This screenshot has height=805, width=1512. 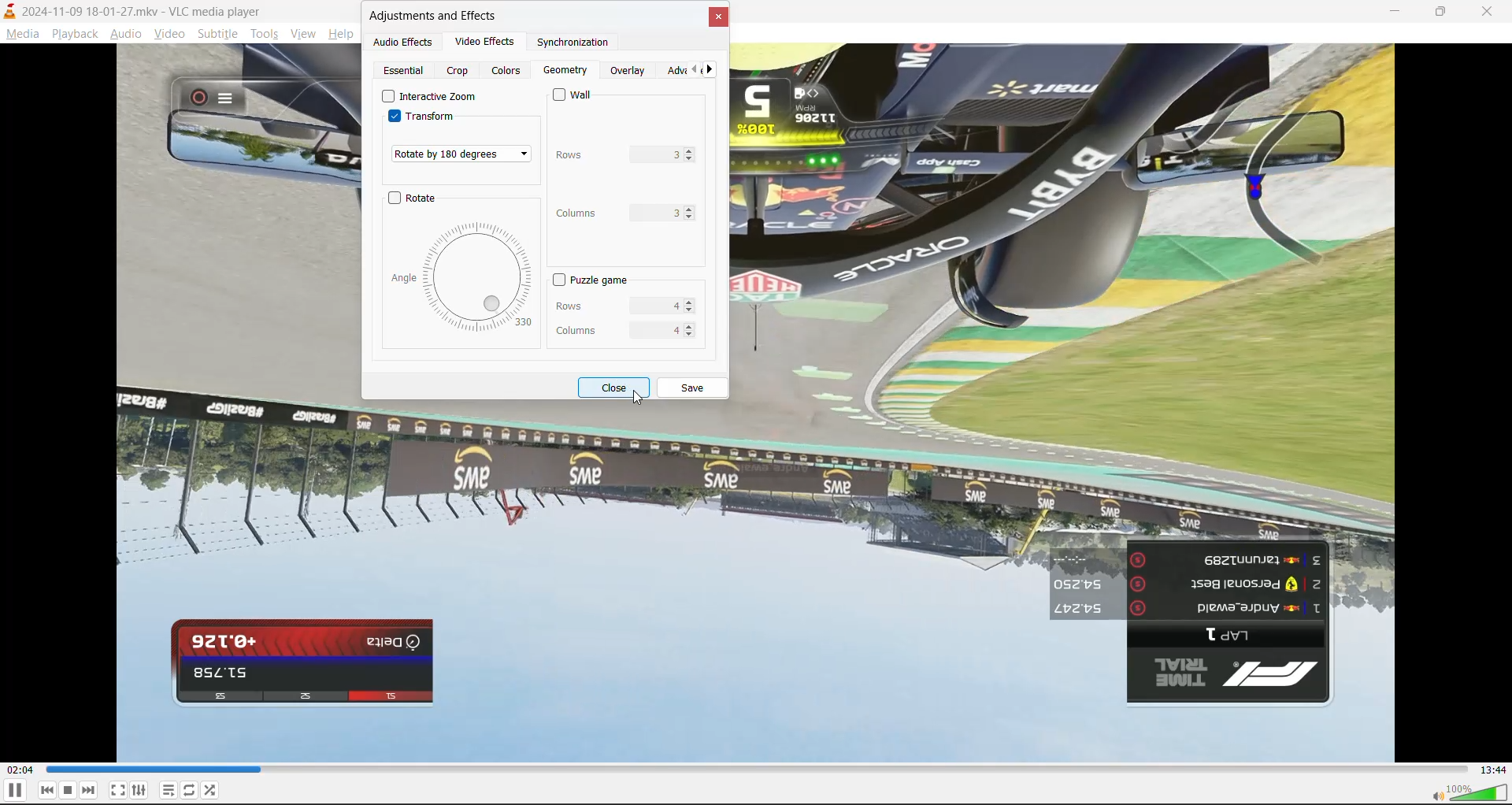 I want to click on close tab, so click(x=718, y=21).